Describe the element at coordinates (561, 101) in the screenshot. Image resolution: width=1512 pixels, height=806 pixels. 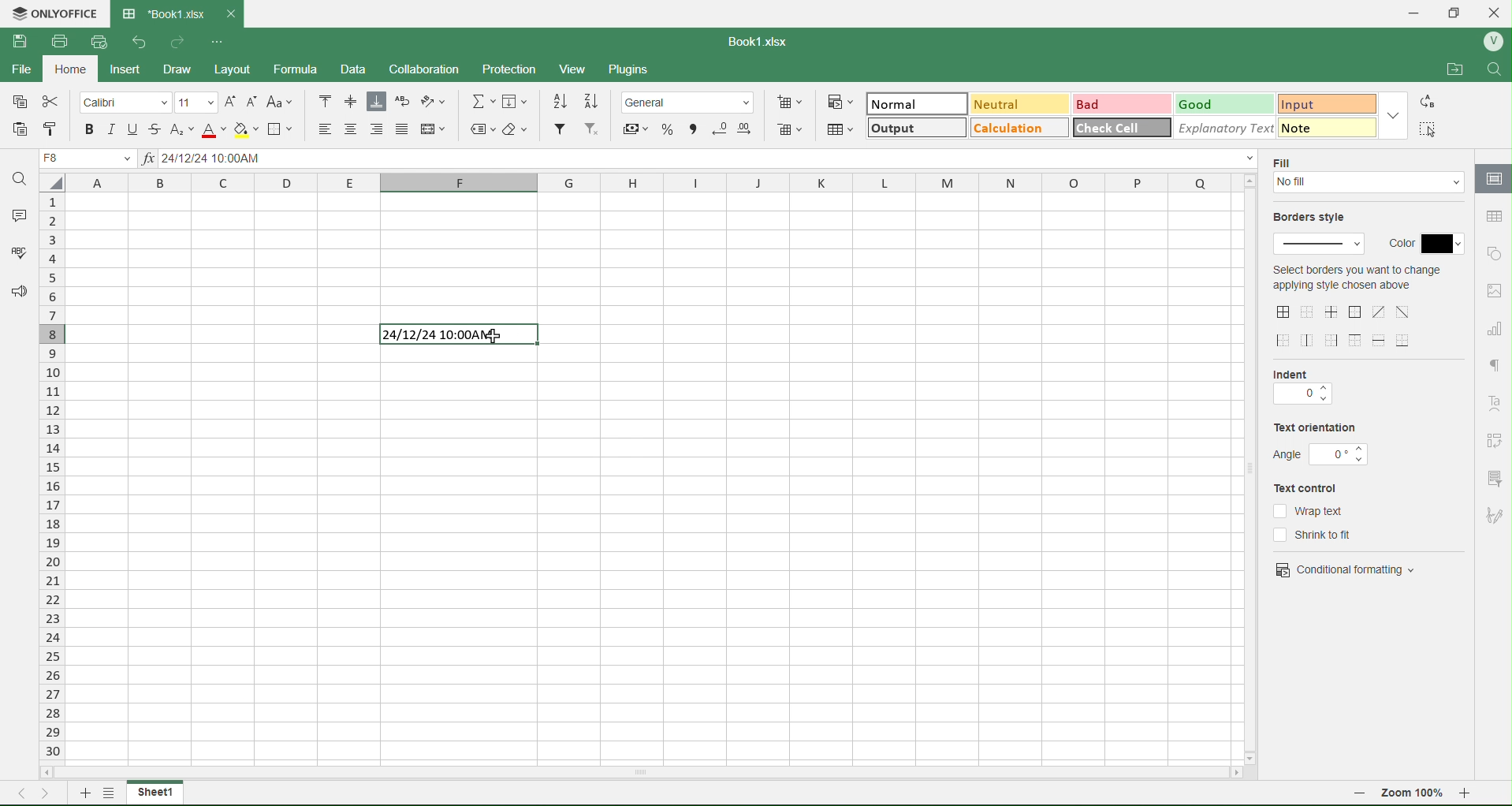
I see `Sort Ascending` at that location.